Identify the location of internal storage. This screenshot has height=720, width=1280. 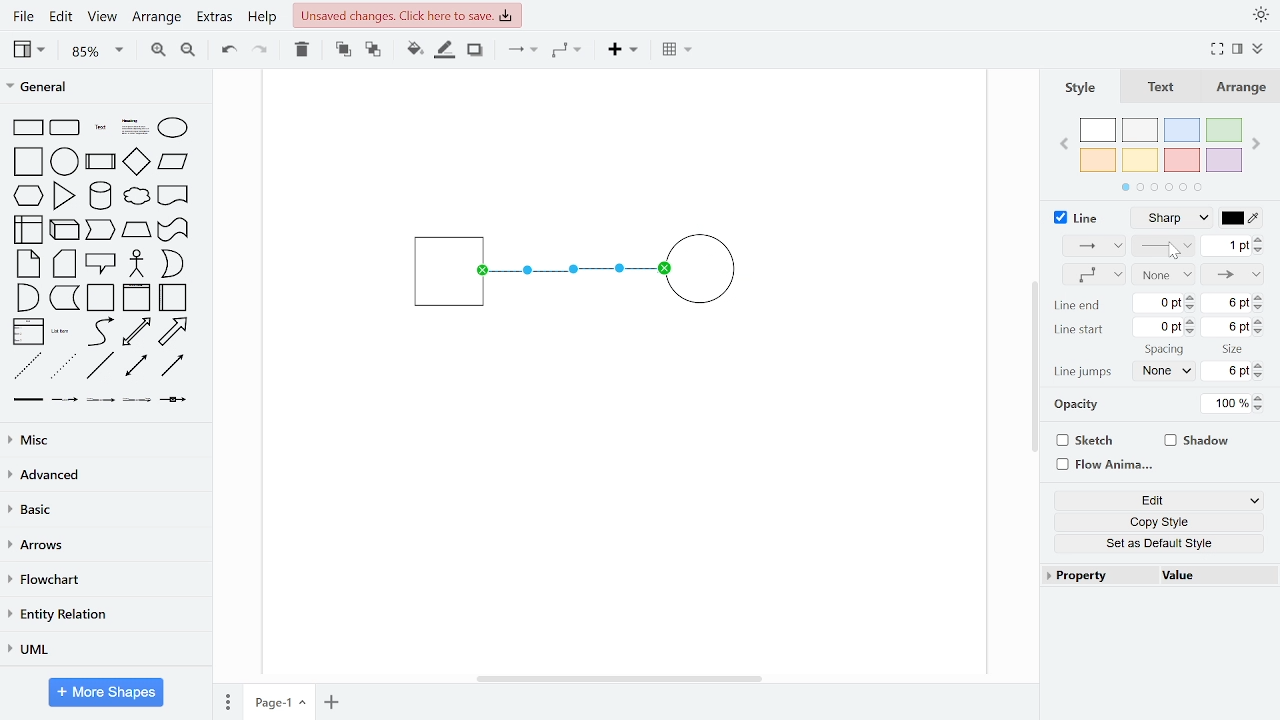
(30, 231).